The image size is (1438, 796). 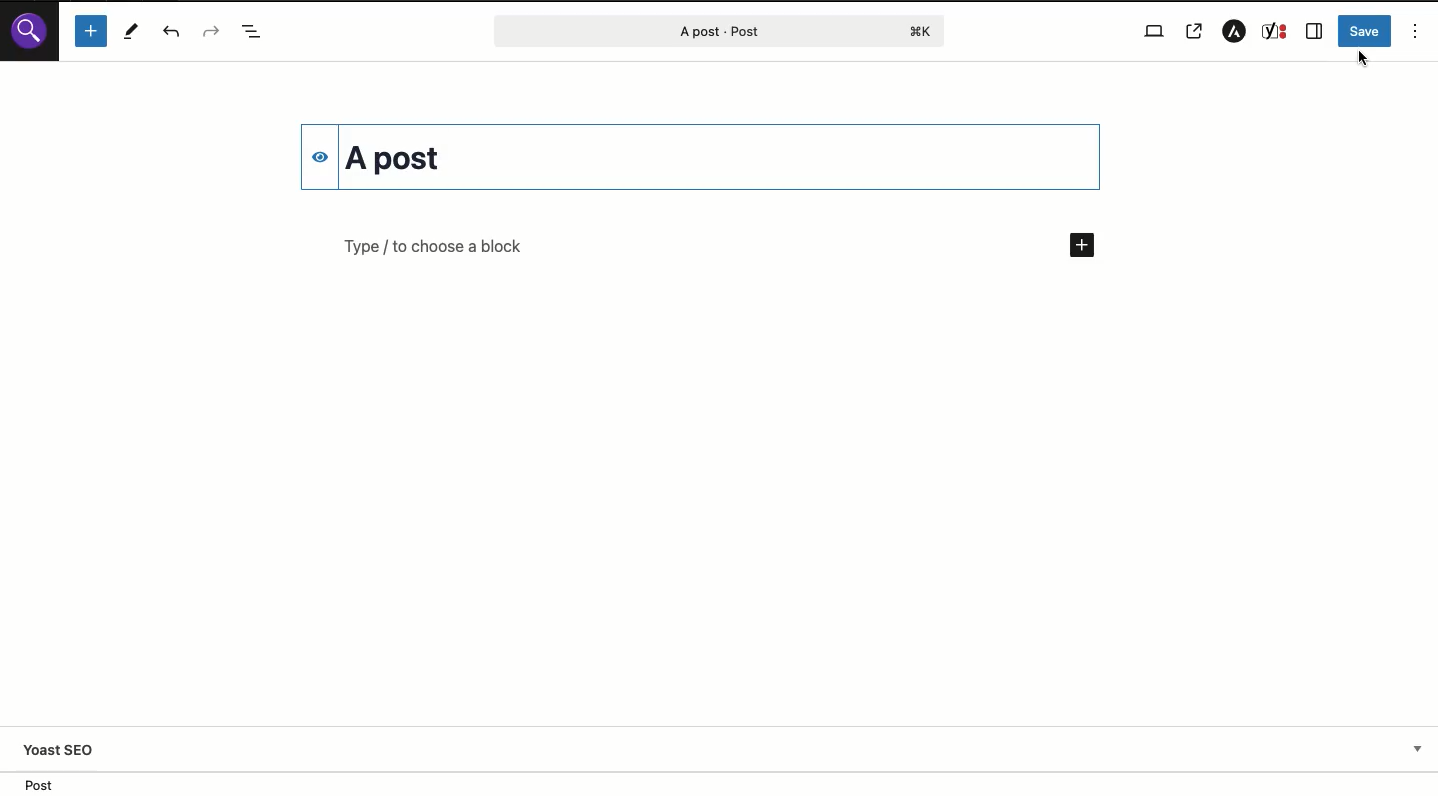 I want to click on Document overview, so click(x=252, y=33).